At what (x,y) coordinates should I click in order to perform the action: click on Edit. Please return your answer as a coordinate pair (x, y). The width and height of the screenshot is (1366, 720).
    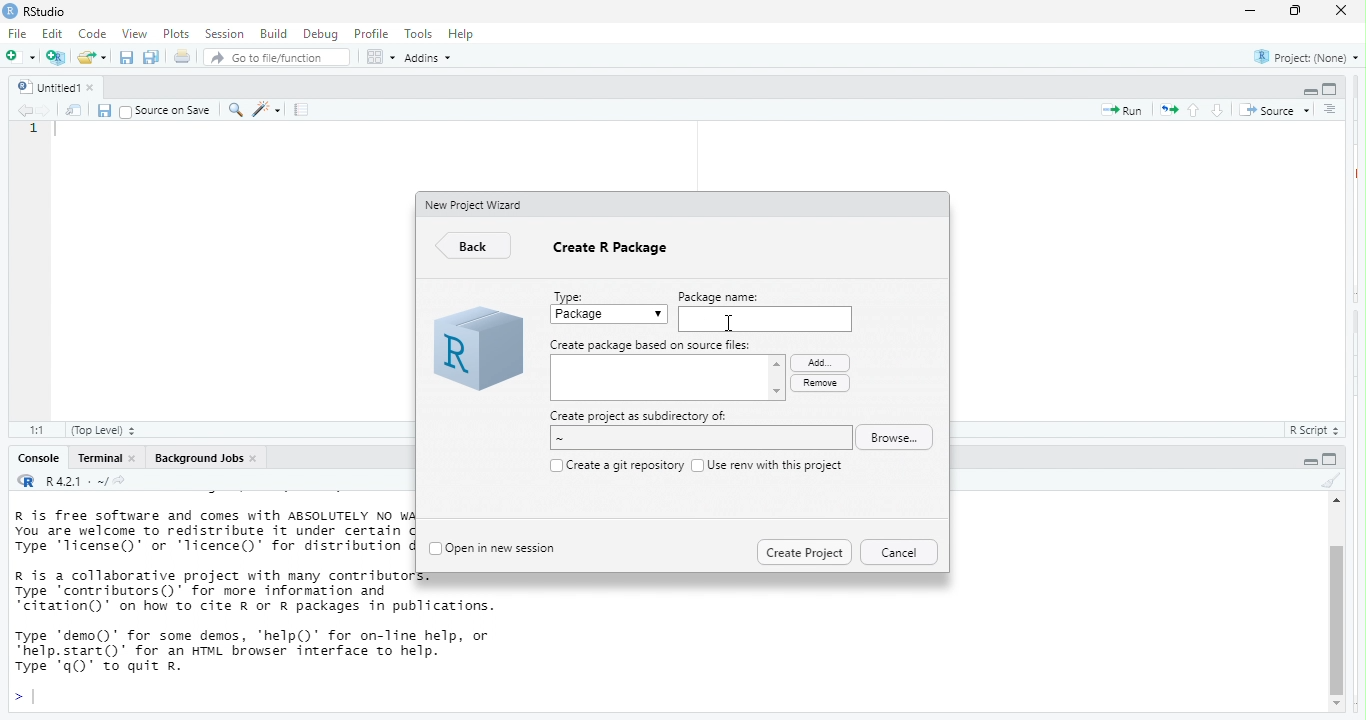
    Looking at the image, I should click on (54, 35).